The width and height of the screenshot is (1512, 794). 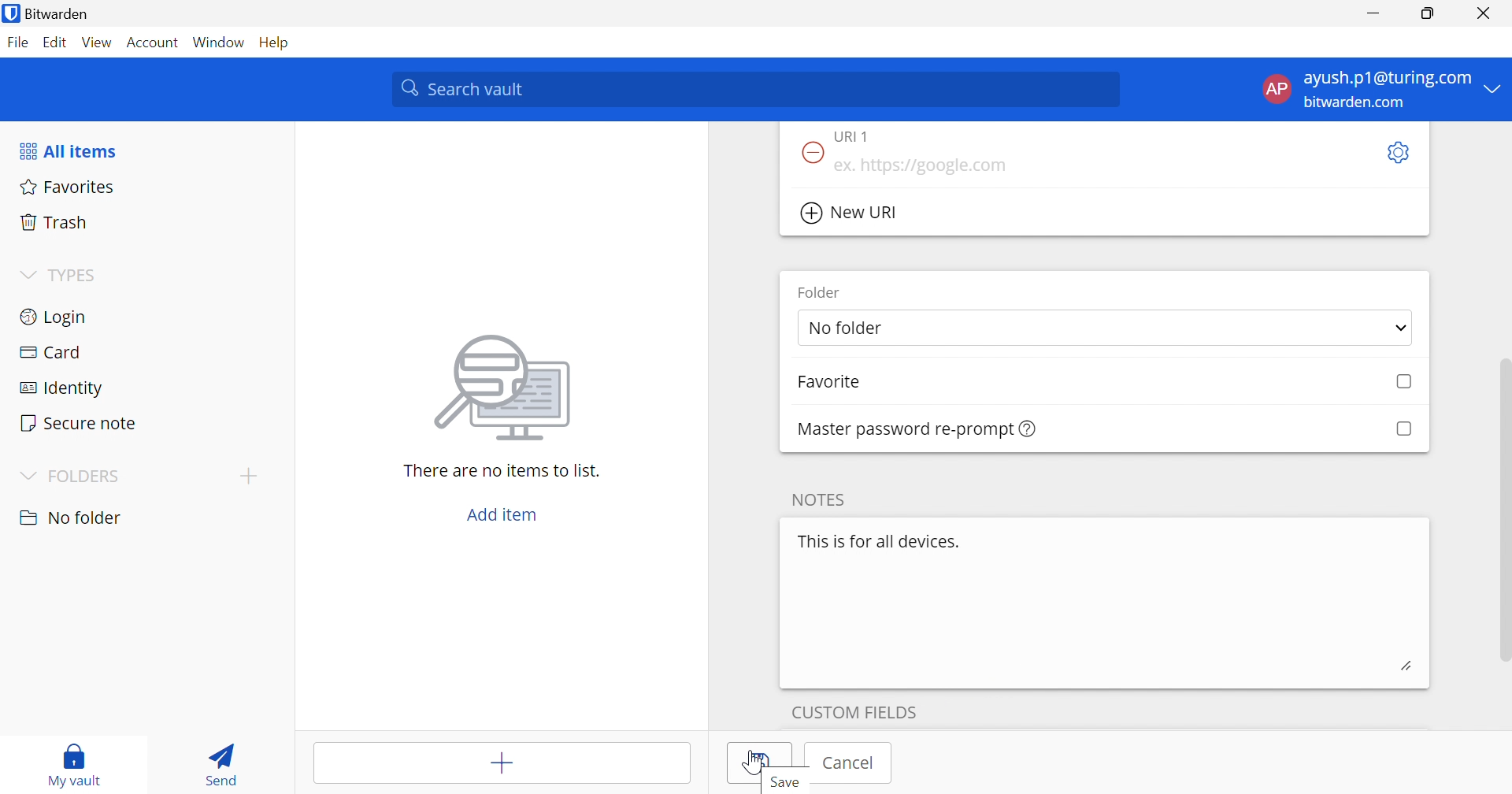 I want to click on Secure note, so click(x=77, y=425).